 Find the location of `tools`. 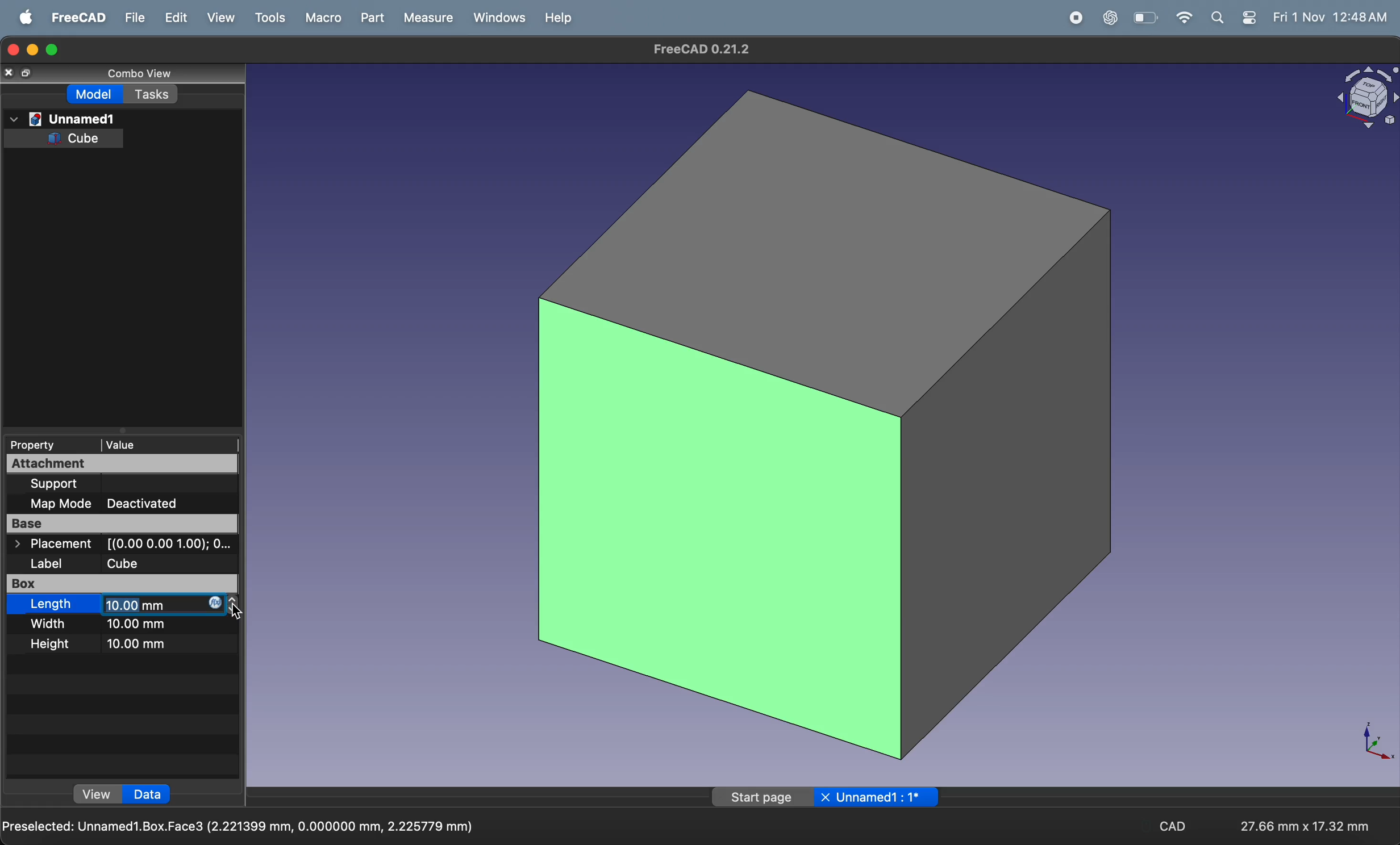

tools is located at coordinates (268, 18).